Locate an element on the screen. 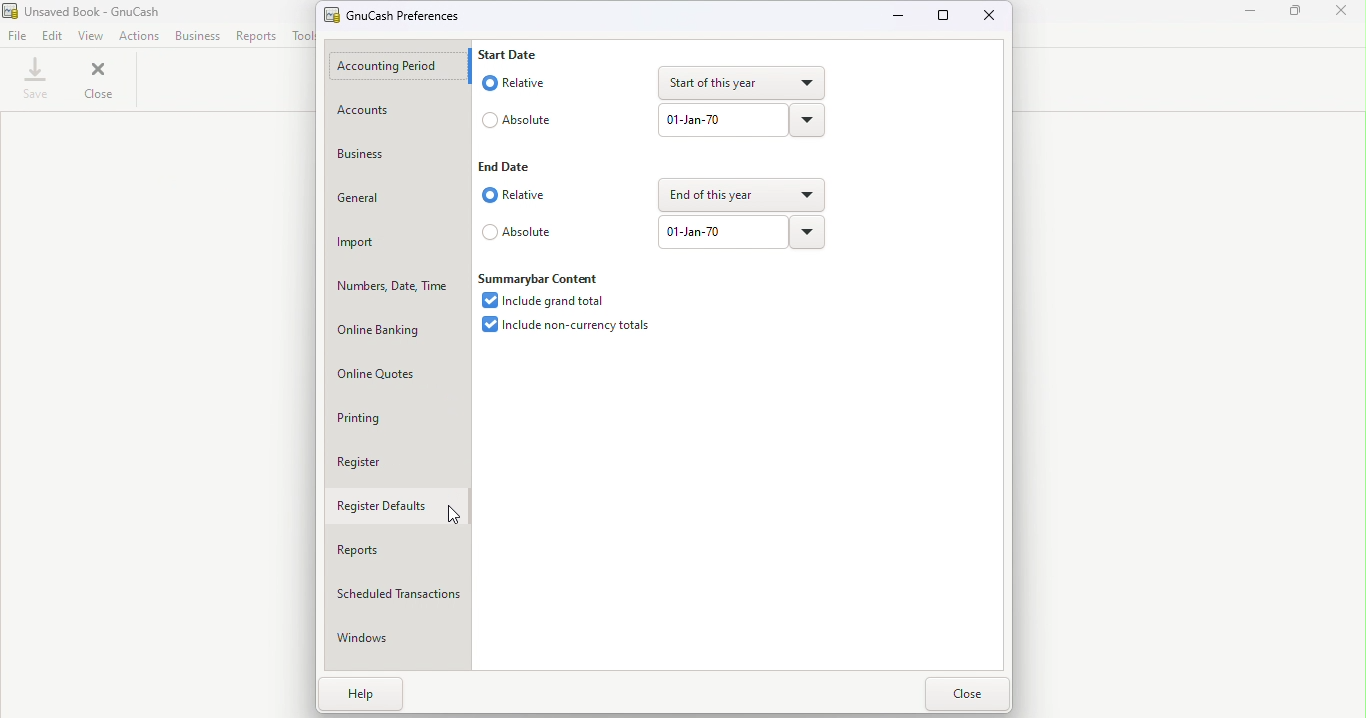 This screenshot has width=1366, height=718. Include grand total is located at coordinates (547, 301).